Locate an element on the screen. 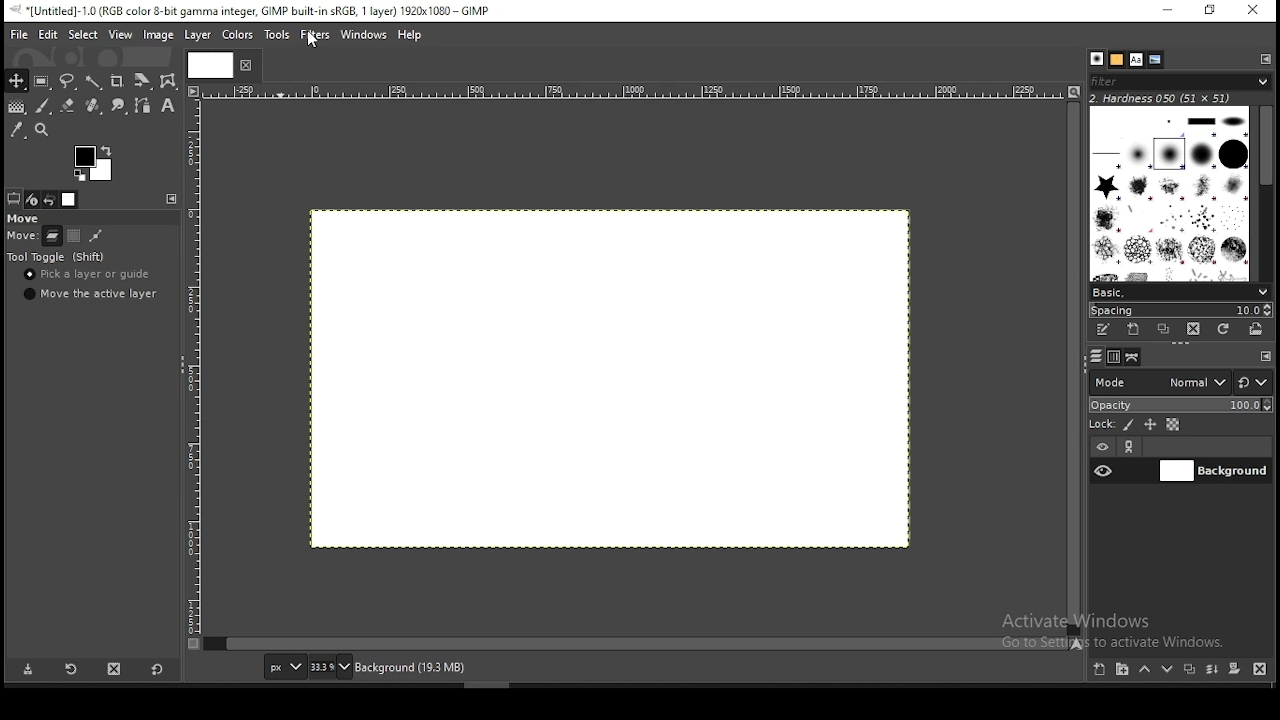  help is located at coordinates (412, 36).